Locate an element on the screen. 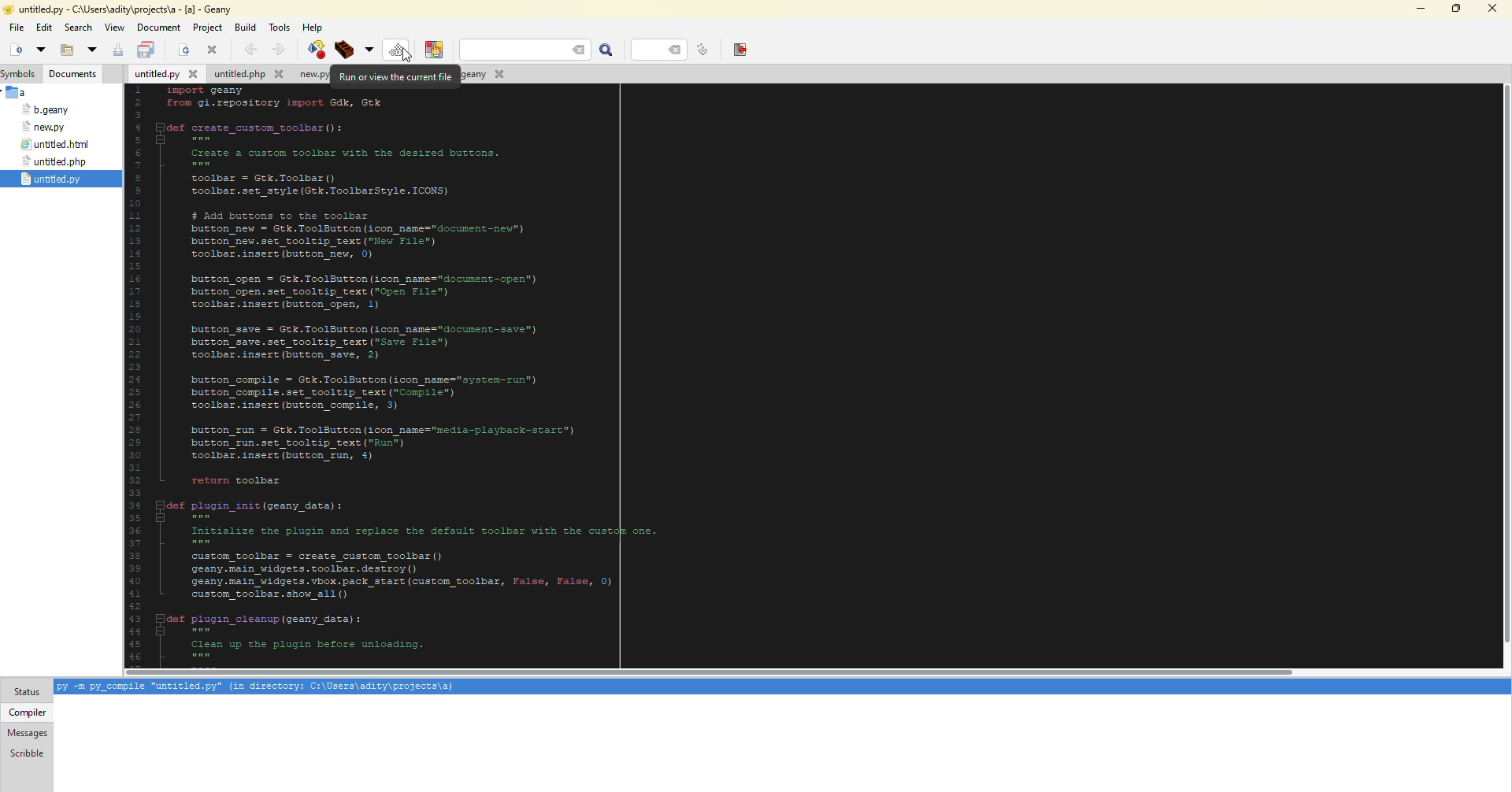 The height and width of the screenshot is (792, 1512). tools is located at coordinates (280, 28).